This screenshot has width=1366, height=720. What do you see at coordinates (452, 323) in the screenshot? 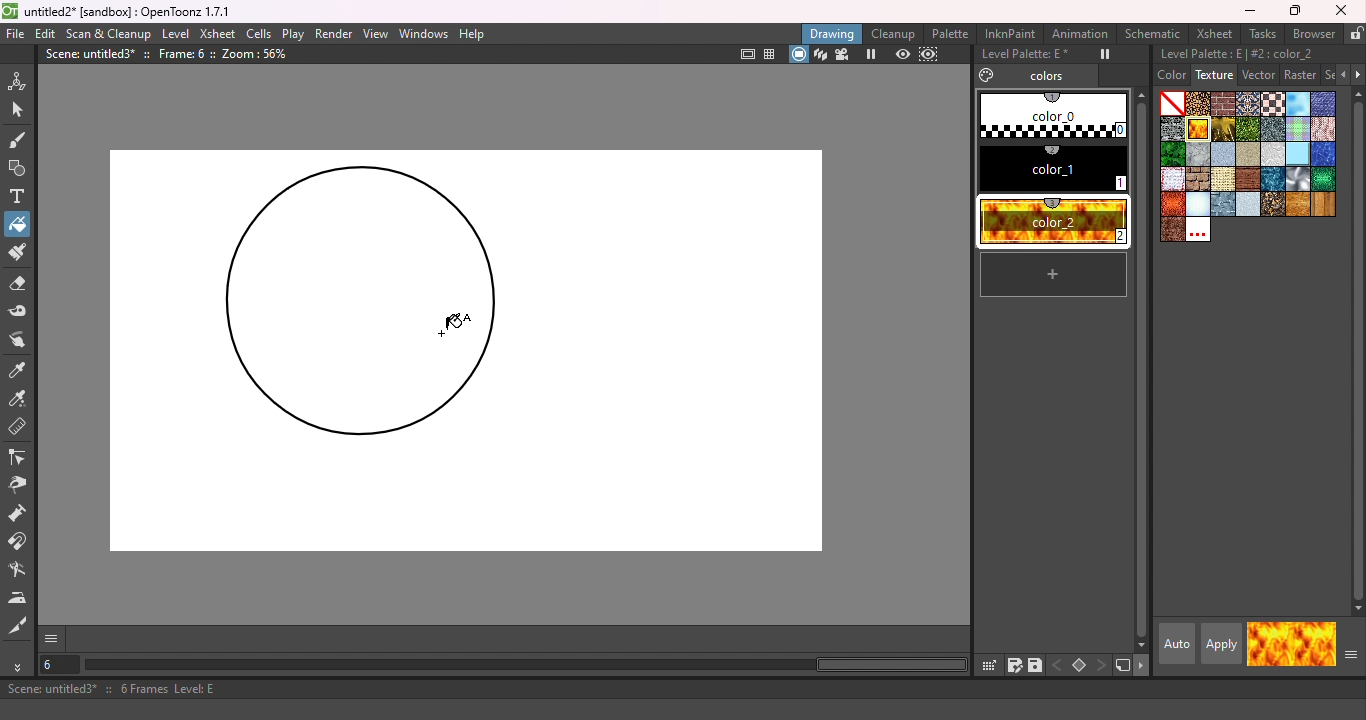
I see `cursor` at bounding box center [452, 323].